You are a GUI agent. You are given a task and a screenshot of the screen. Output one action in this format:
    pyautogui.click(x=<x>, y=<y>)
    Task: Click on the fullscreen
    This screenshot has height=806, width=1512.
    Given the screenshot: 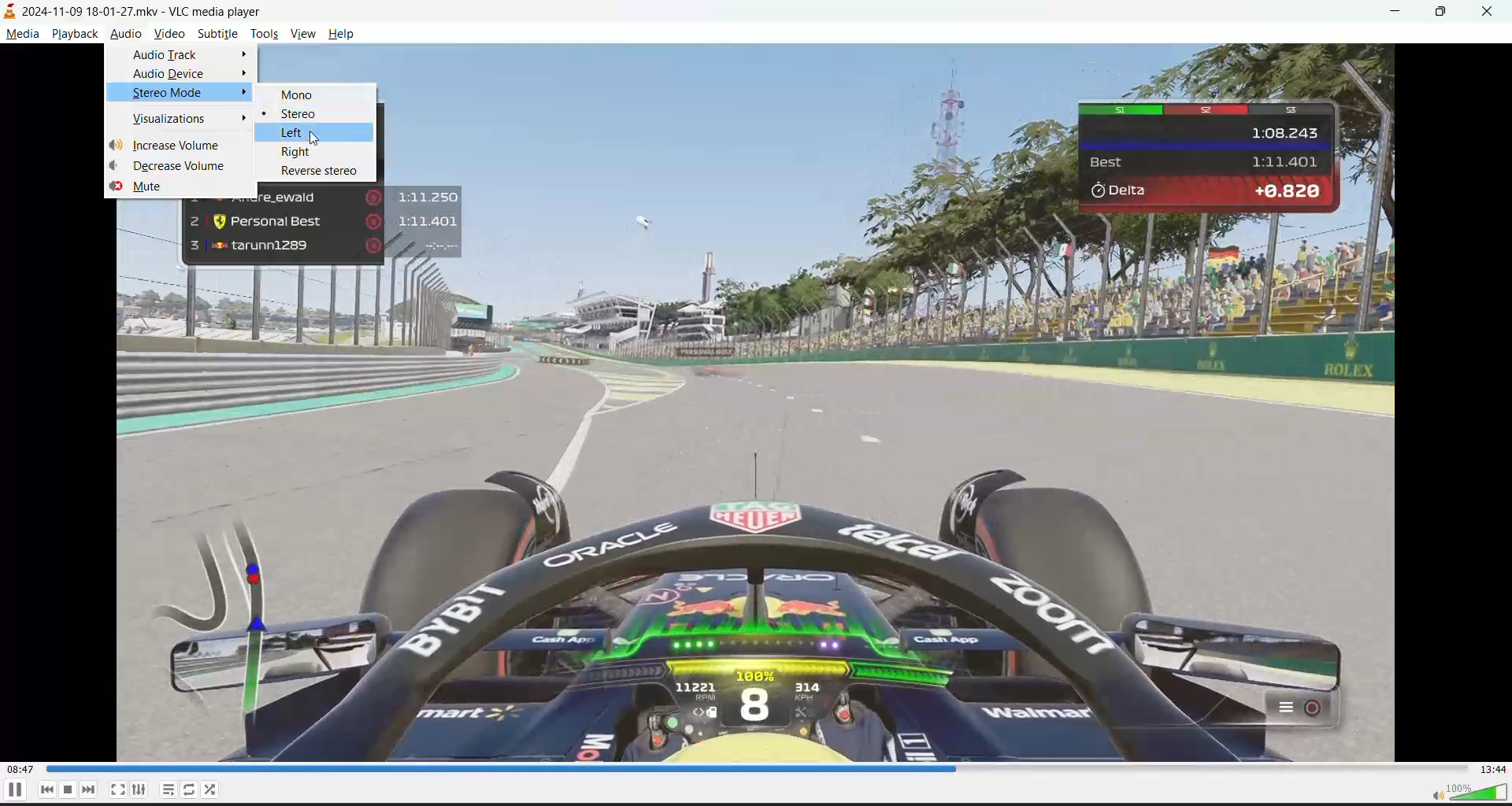 What is the action you would take?
    pyautogui.click(x=116, y=789)
    